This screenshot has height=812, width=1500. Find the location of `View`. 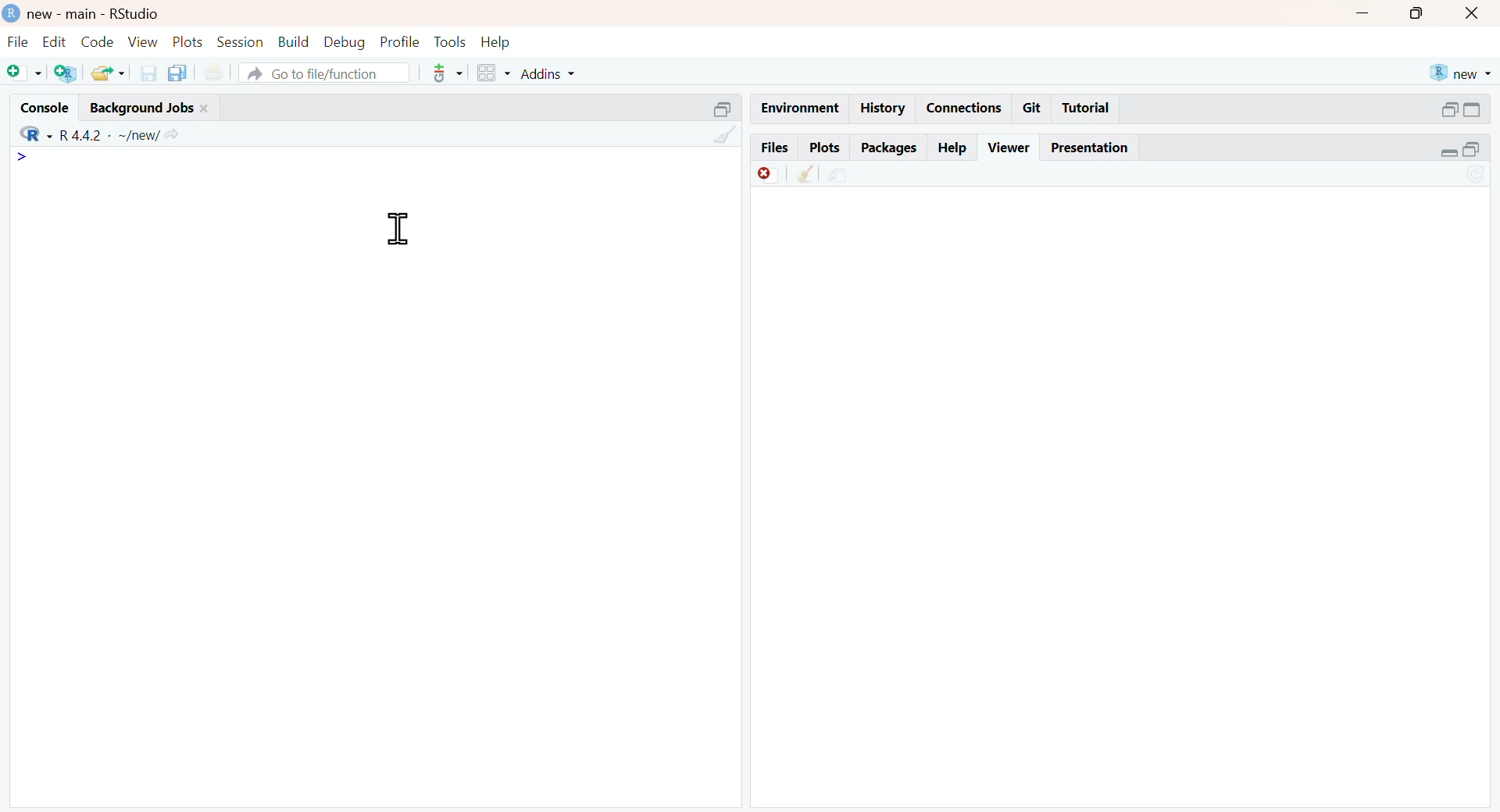

View is located at coordinates (142, 41).